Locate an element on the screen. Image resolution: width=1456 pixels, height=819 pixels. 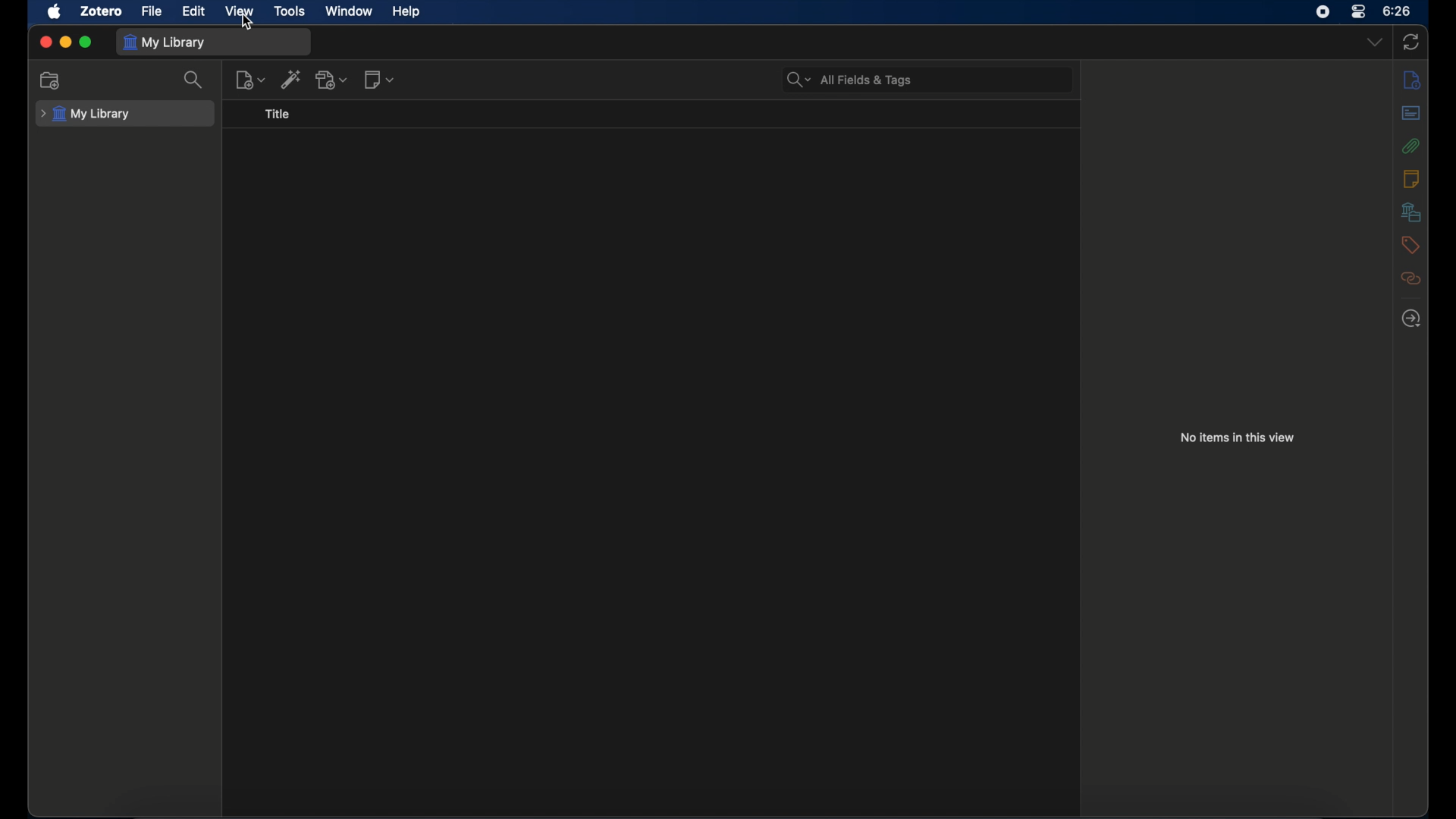
abstract is located at coordinates (1412, 112).